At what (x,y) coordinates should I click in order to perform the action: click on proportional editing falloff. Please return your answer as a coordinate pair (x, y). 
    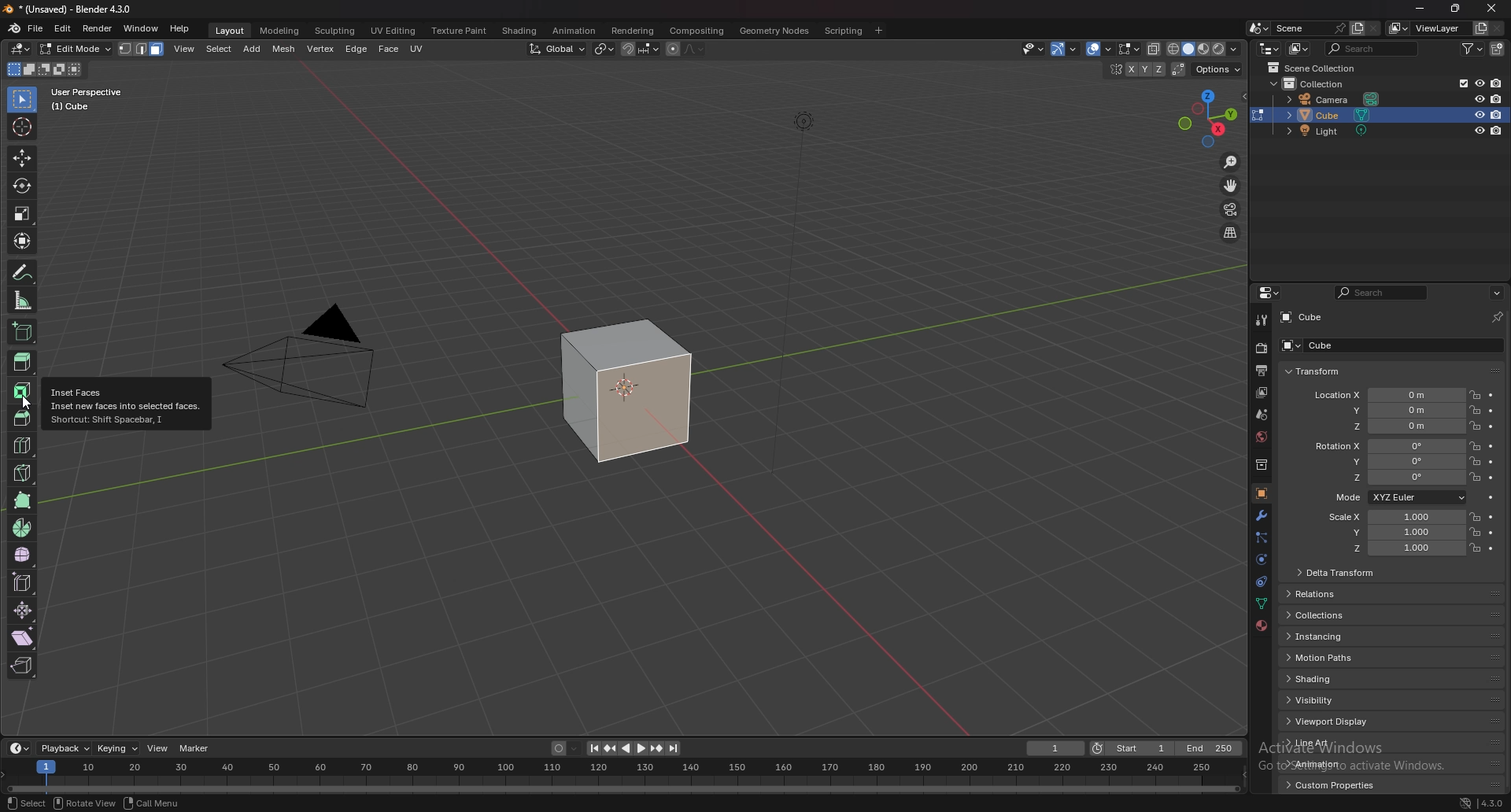
    Looking at the image, I should click on (695, 50).